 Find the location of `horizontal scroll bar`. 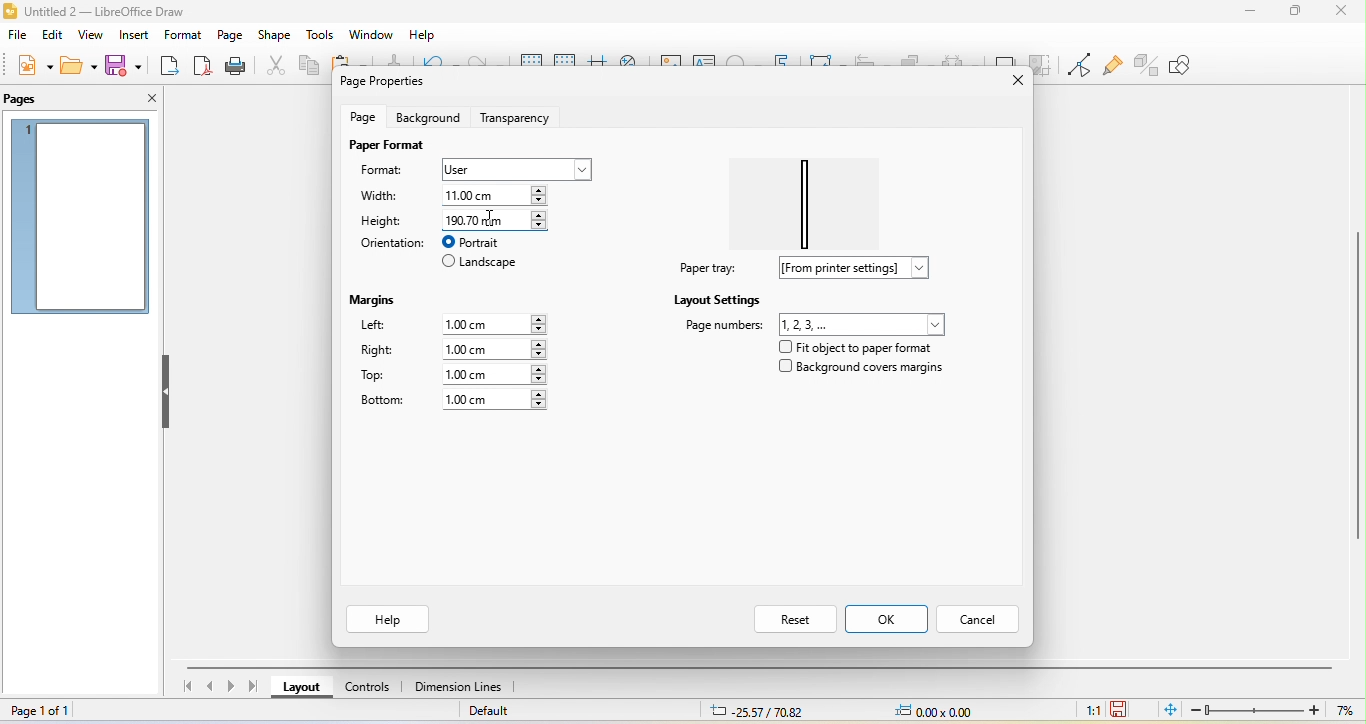

horizontal scroll bar is located at coordinates (763, 665).